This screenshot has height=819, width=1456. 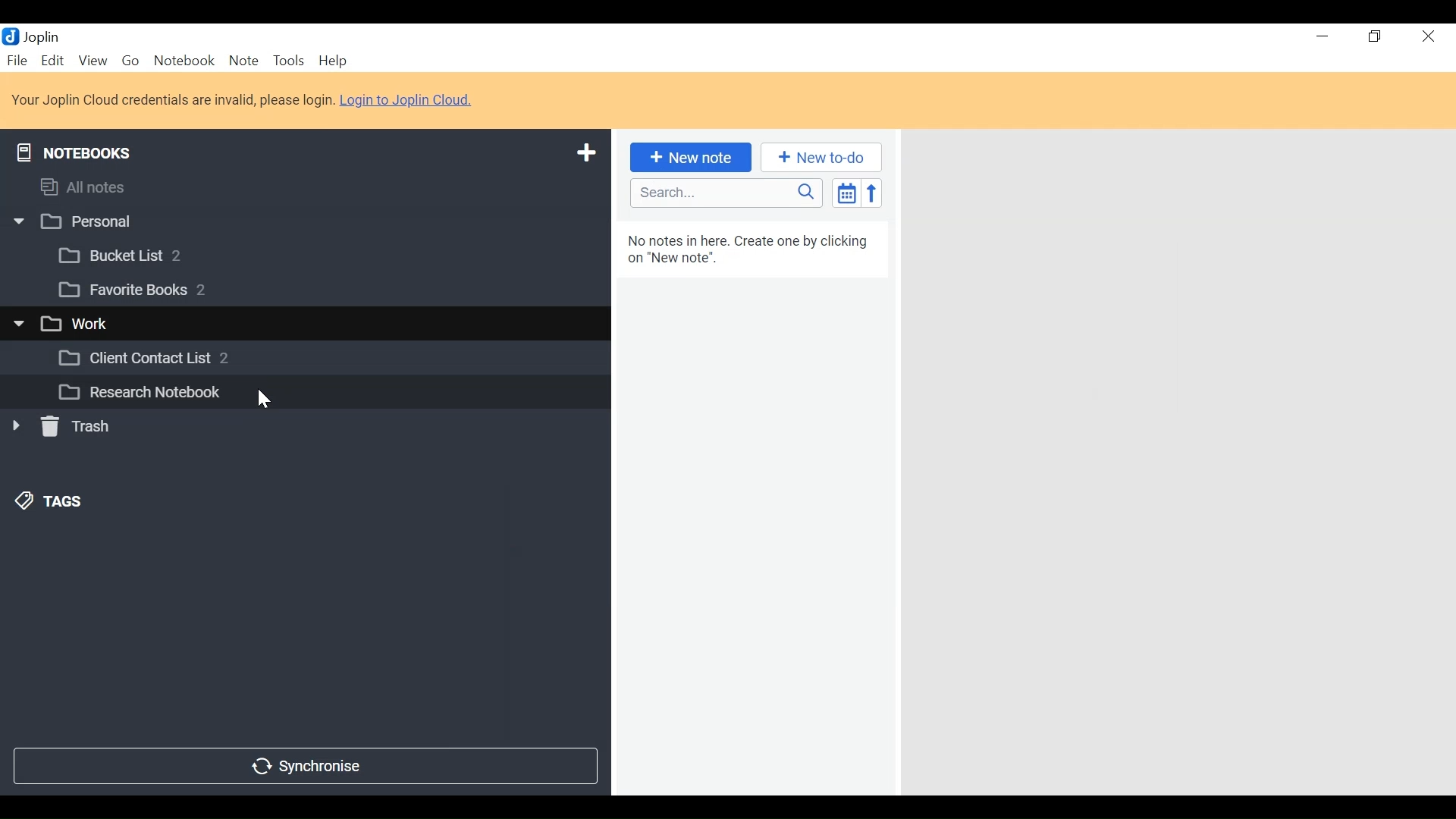 What do you see at coordinates (19, 60) in the screenshot?
I see `File` at bounding box center [19, 60].